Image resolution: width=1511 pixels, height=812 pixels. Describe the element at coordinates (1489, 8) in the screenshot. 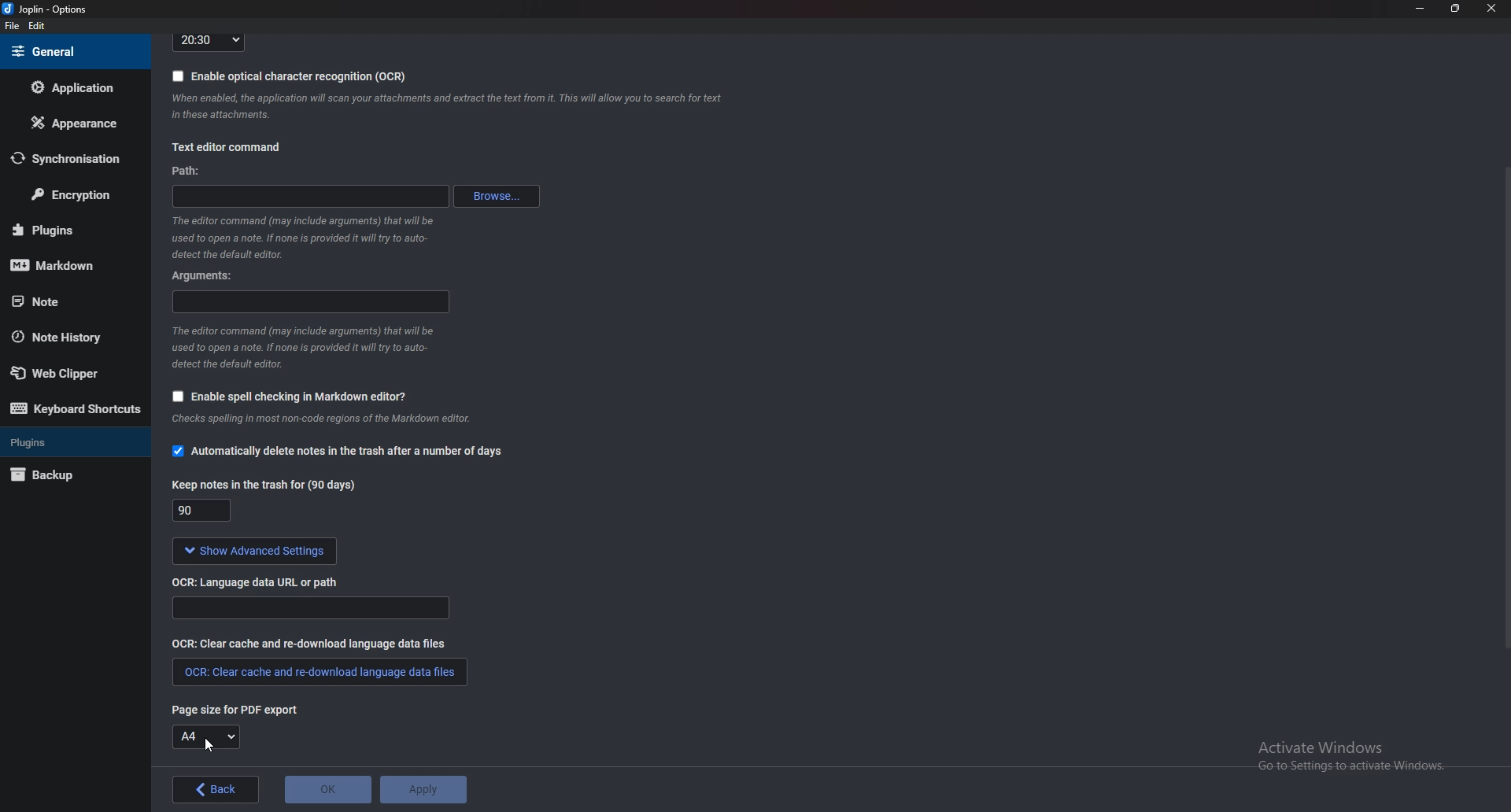

I see `close` at that location.